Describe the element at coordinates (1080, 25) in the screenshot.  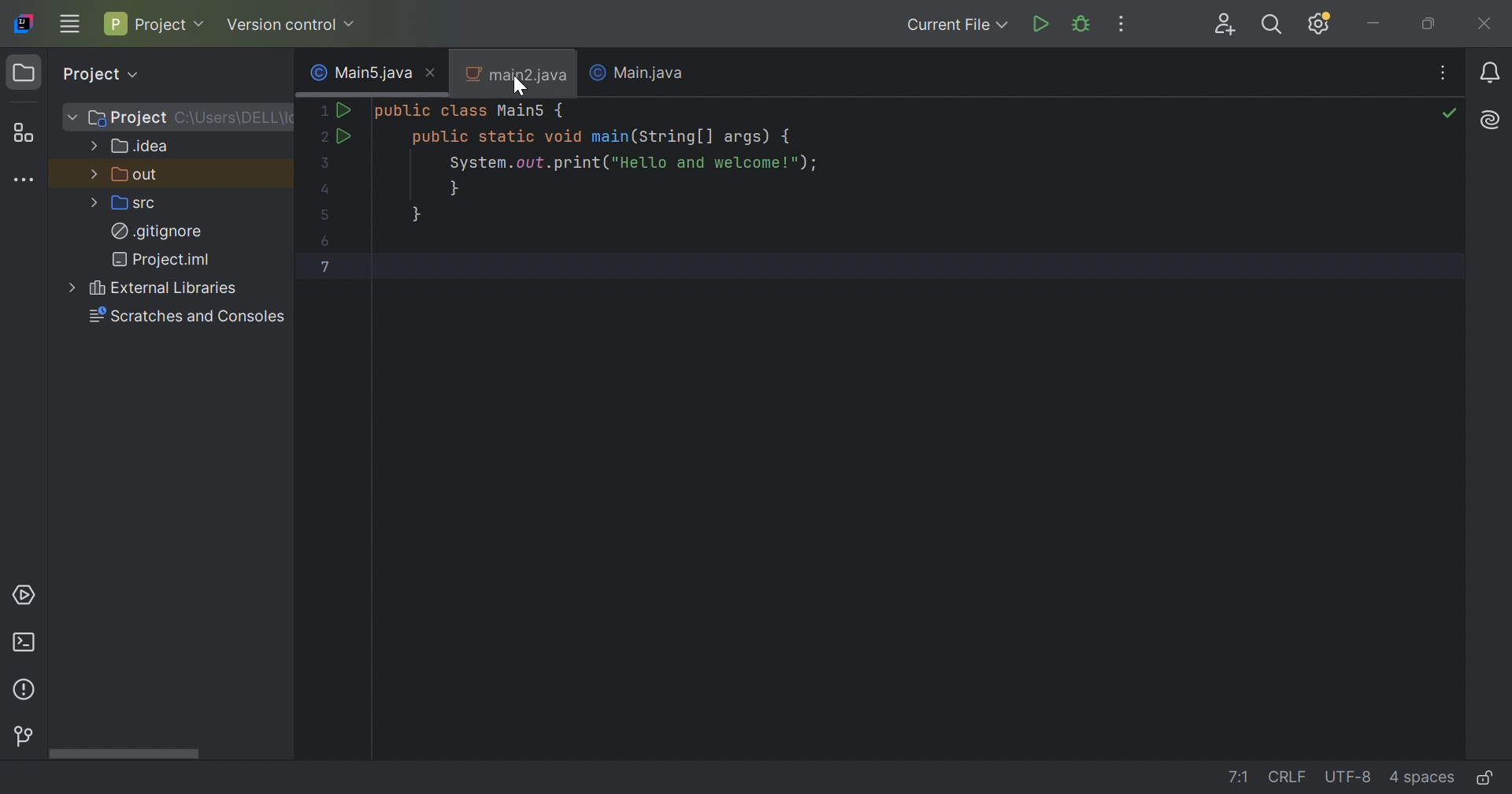
I see `Debug` at that location.